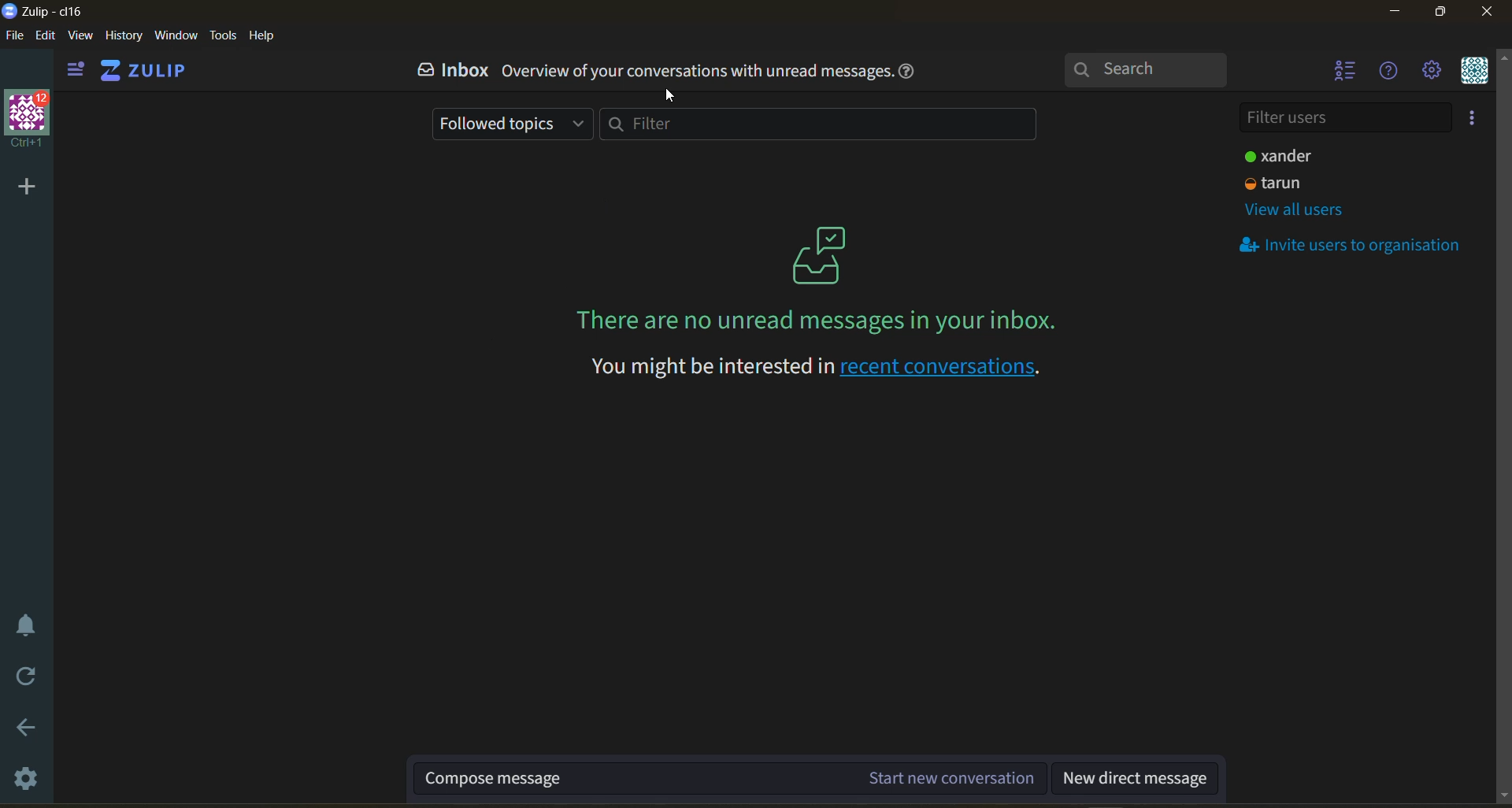 The image size is (1512, 808). What do you see at coordinates (1484, 10) in the screenshot?
I see `close` at bounding box center [1484, 10].